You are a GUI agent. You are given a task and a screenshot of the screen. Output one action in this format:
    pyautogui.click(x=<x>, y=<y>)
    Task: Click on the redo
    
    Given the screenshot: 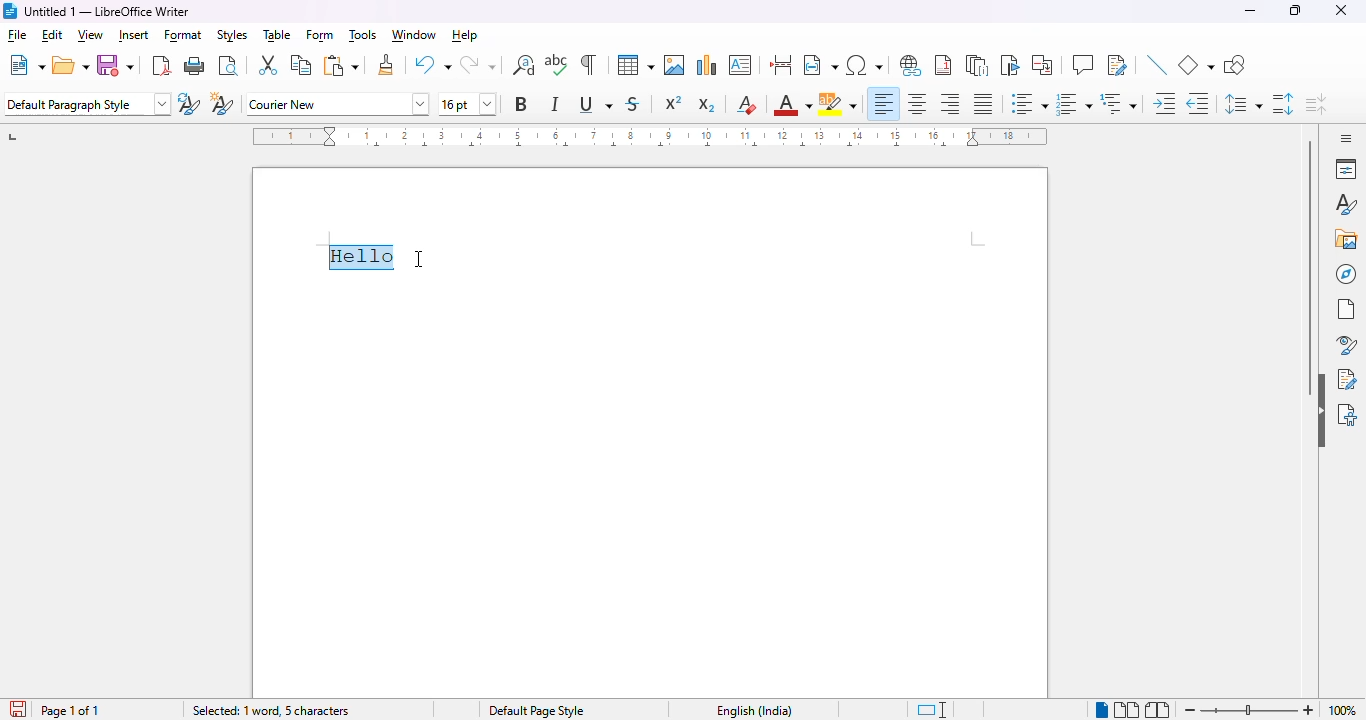 What is the action you would take?
    pyautogui.click(x=478, y=65)
    